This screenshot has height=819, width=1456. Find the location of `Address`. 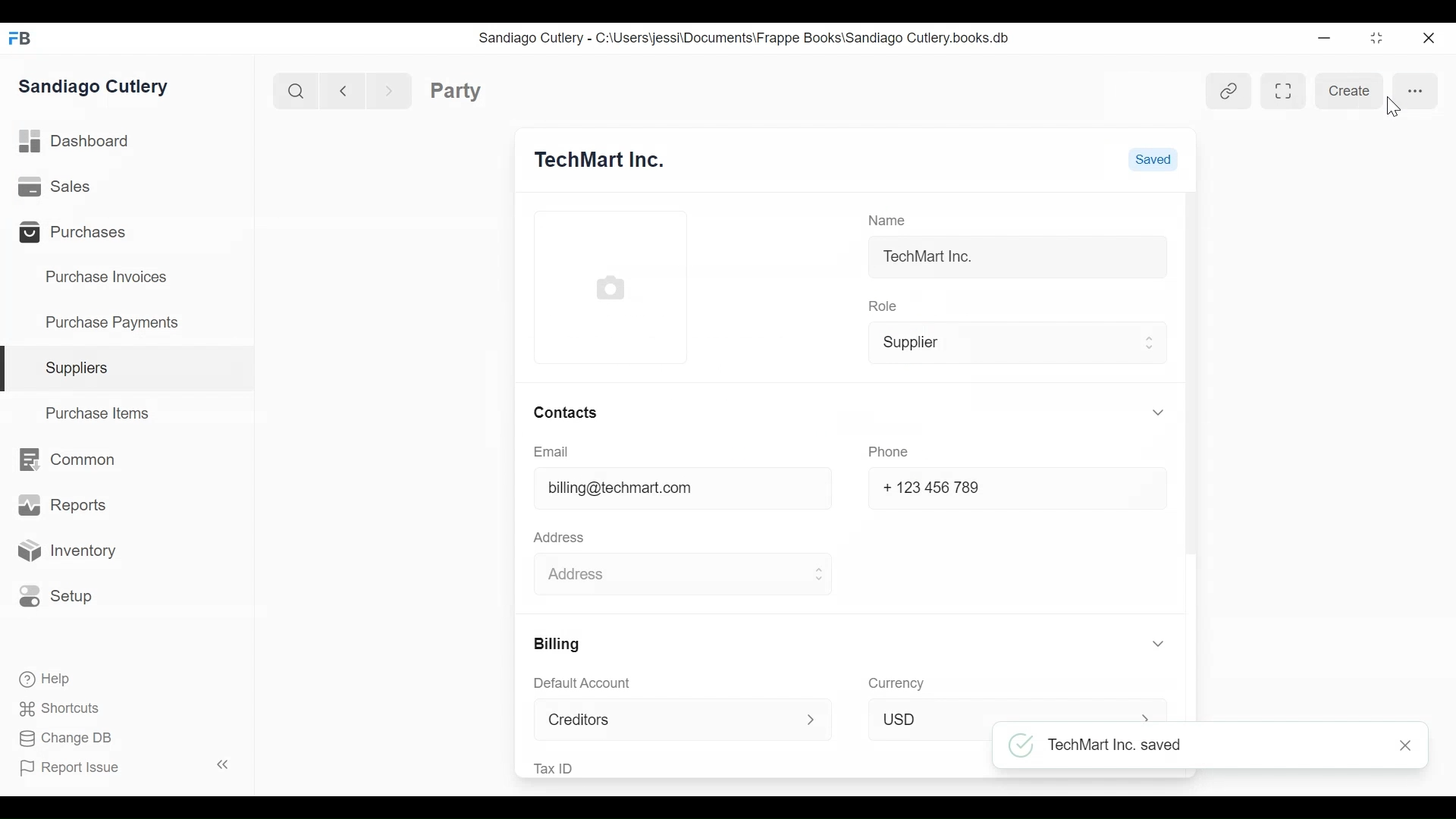

Address is located at coordinates (564, 540).